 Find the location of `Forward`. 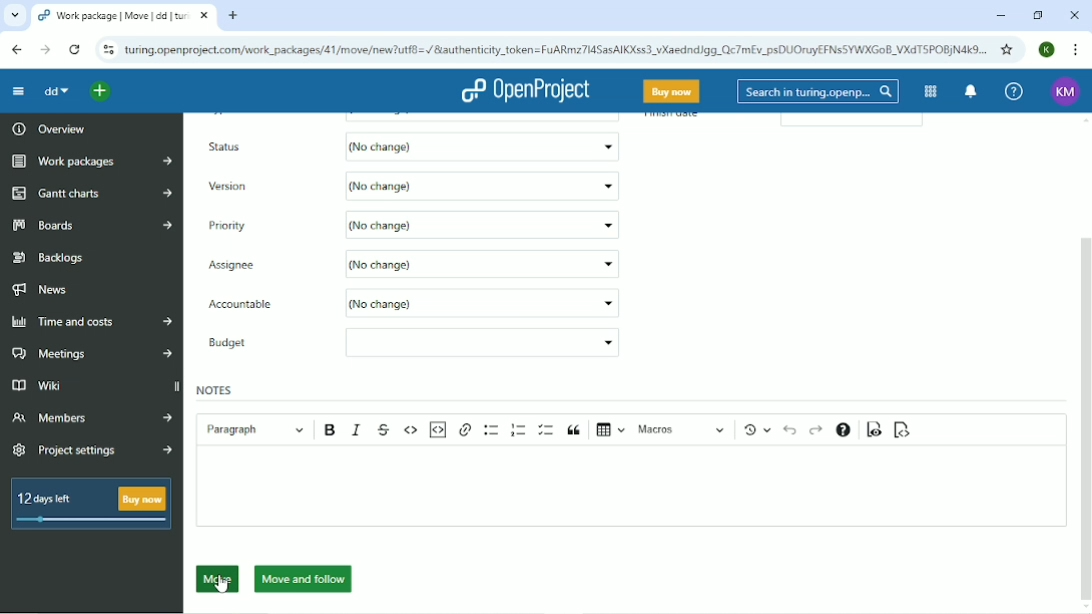

Forward is located at coordinates (45, 50).